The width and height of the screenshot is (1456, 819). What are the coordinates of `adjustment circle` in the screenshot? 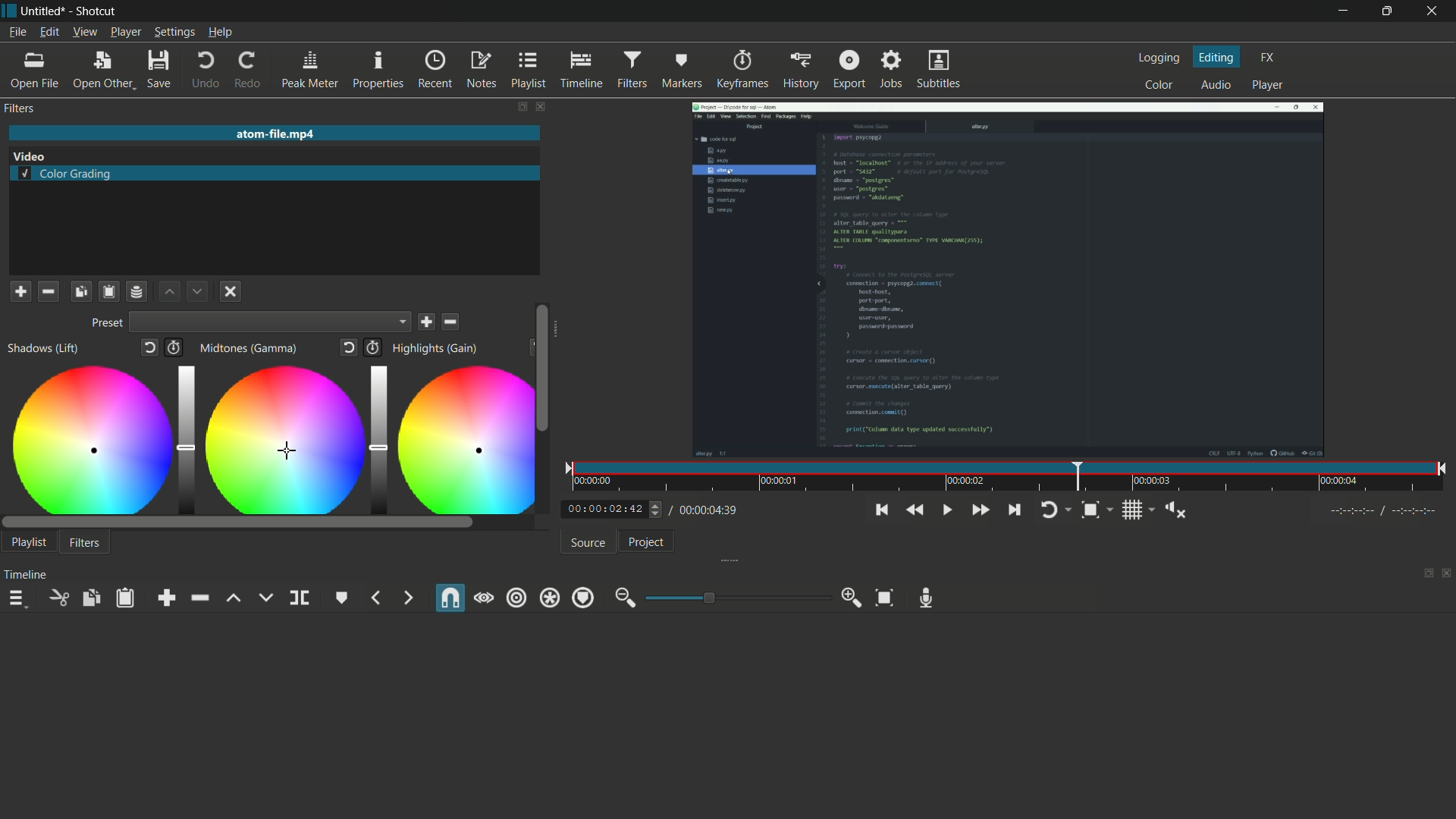 It's located at (280, 438).